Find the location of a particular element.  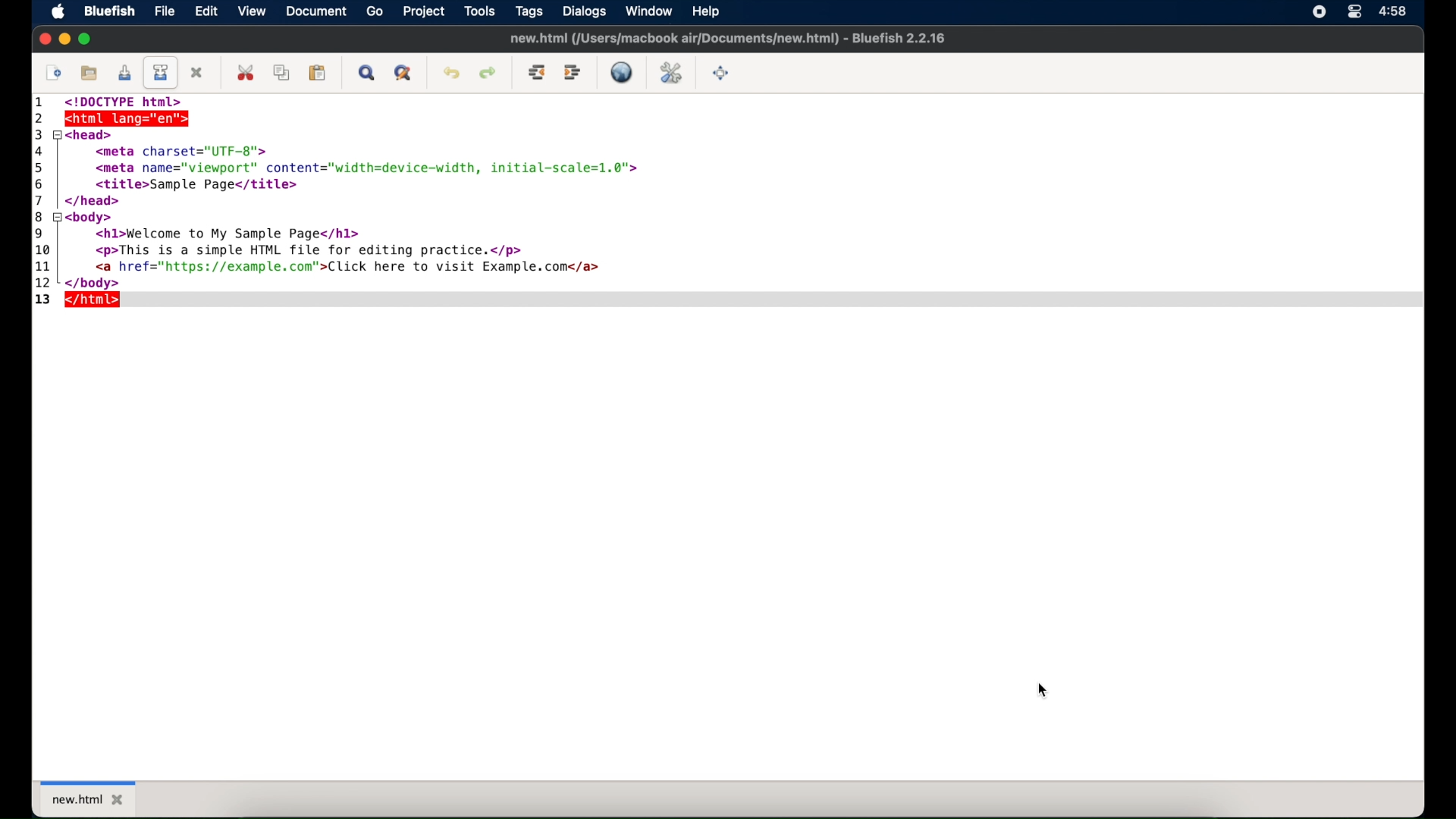

cut is located at coordinates (247, 72).